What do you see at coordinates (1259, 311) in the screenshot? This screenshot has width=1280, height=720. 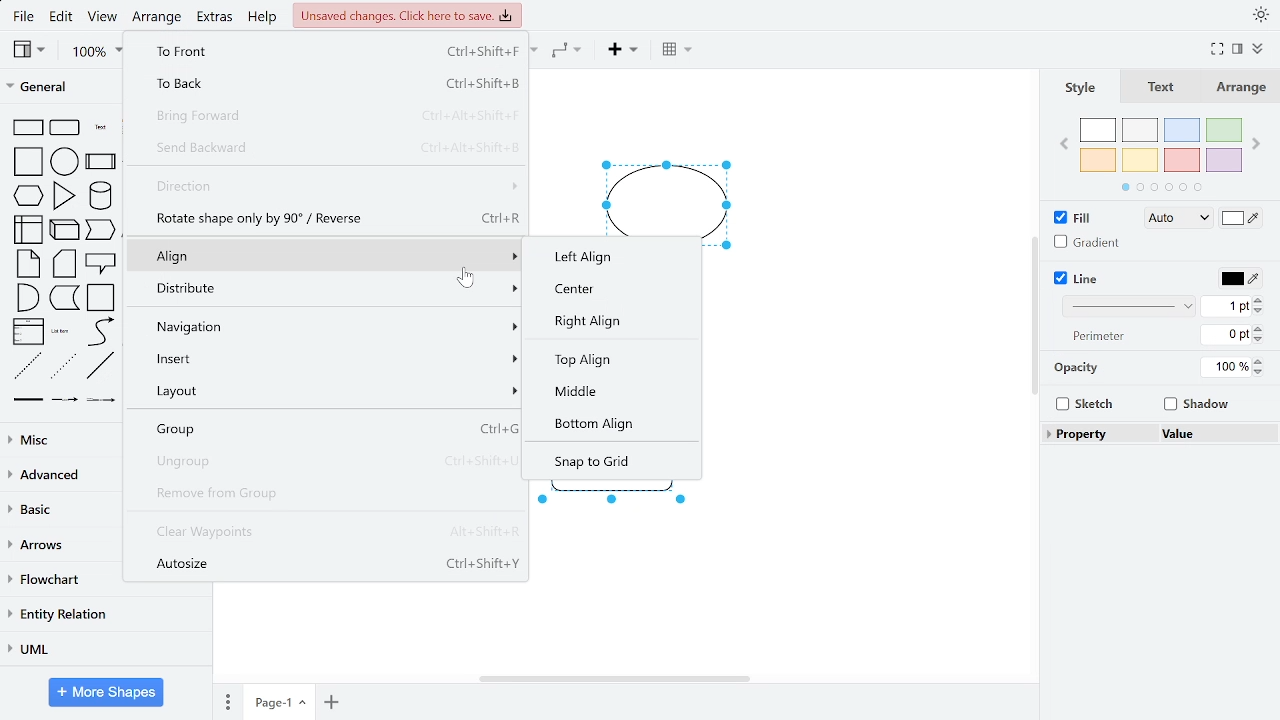 I see `decrease line thickness` at bounding box center [1259, 311].